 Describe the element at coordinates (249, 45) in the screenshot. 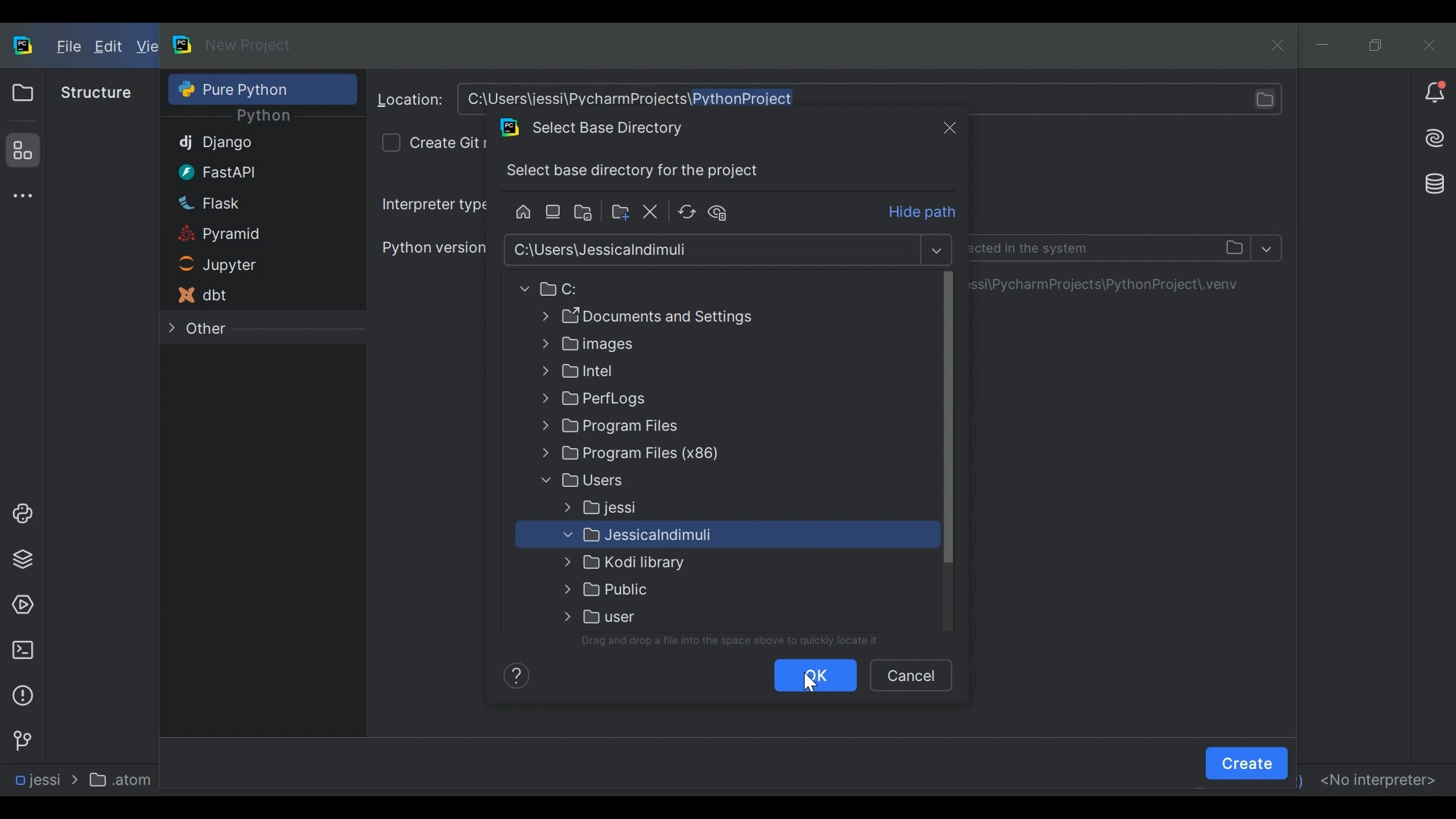

I see `New Project` at that location.